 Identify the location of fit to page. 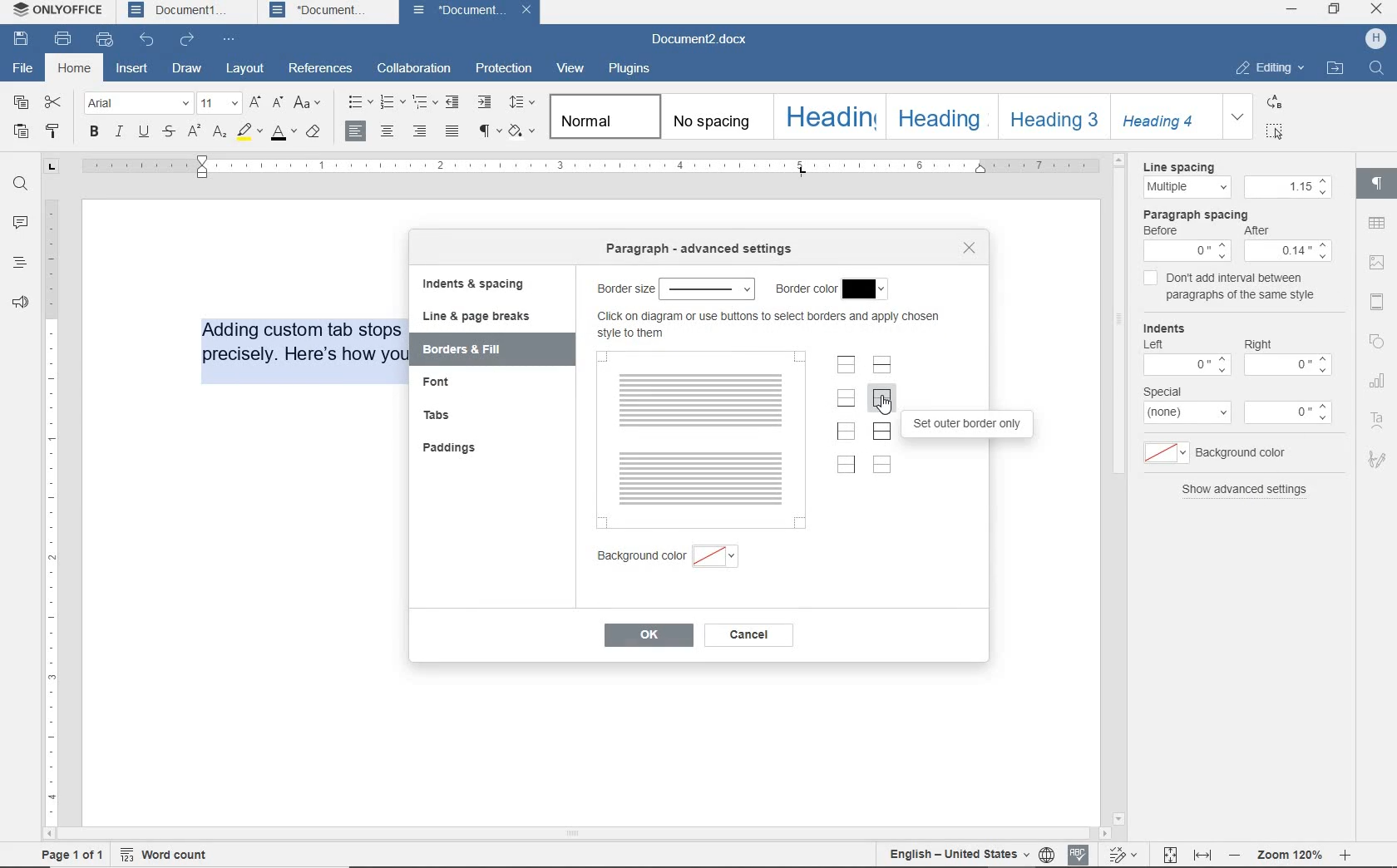
(1165, 854).